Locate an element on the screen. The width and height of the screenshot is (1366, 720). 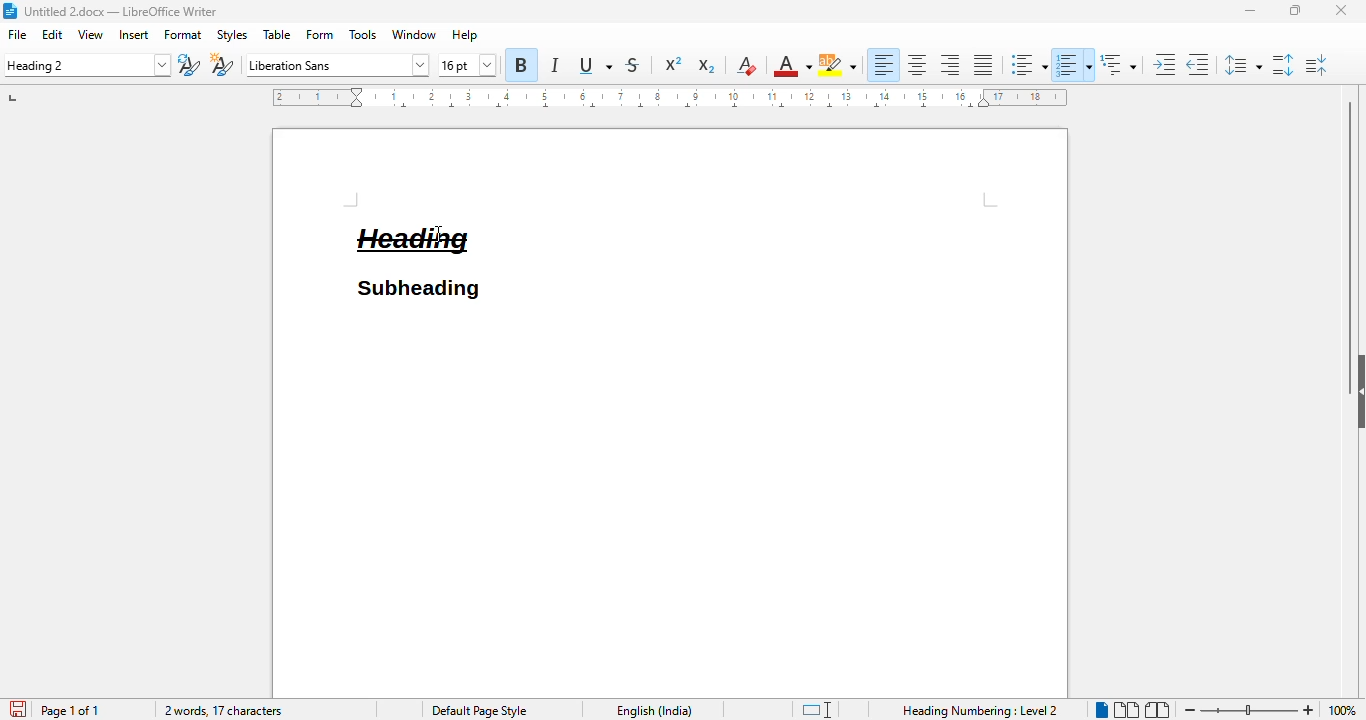
update selected style is located at coordinates (189, 65).